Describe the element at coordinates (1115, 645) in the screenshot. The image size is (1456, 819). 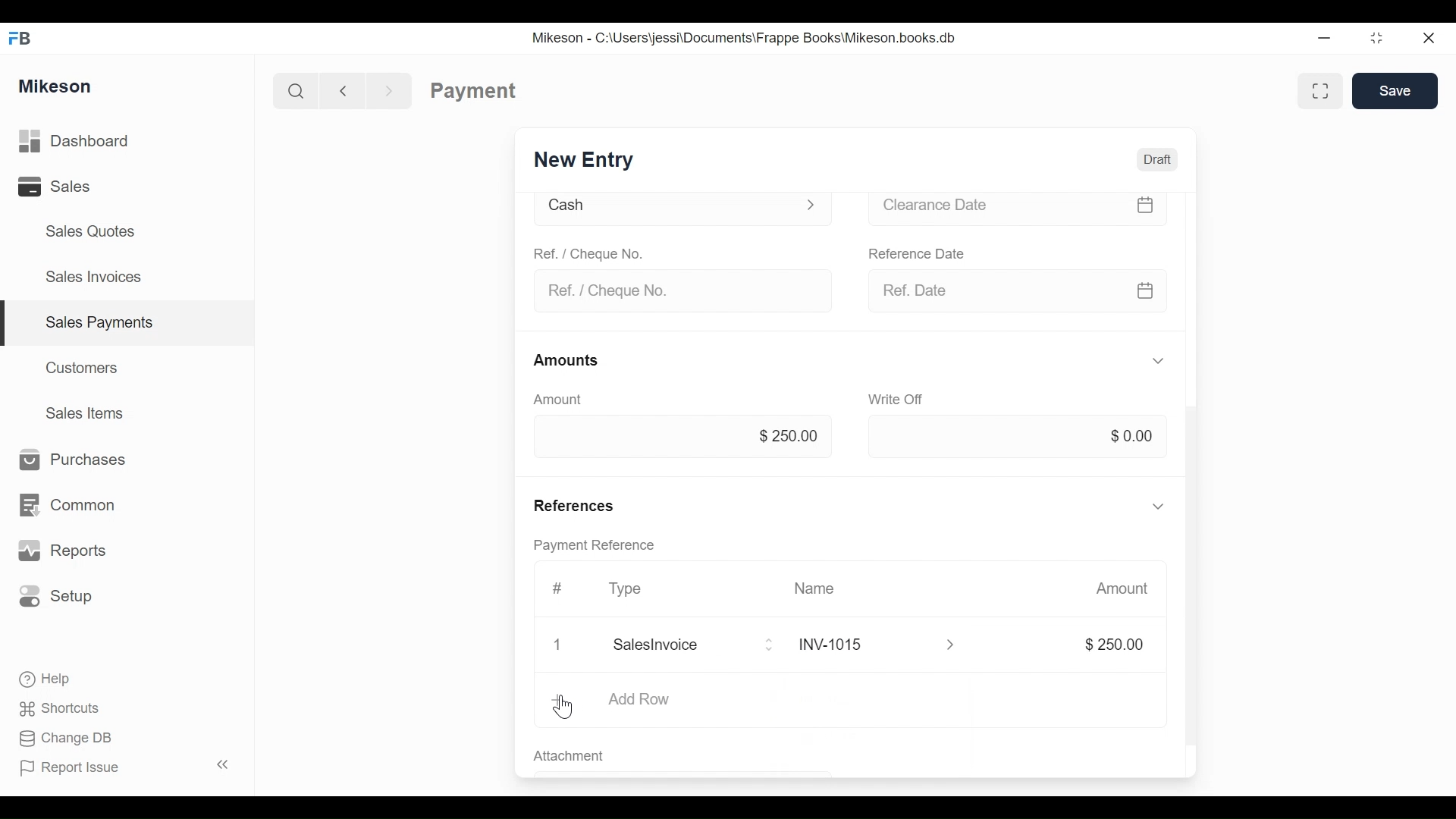
I see `$250.00` at that location.